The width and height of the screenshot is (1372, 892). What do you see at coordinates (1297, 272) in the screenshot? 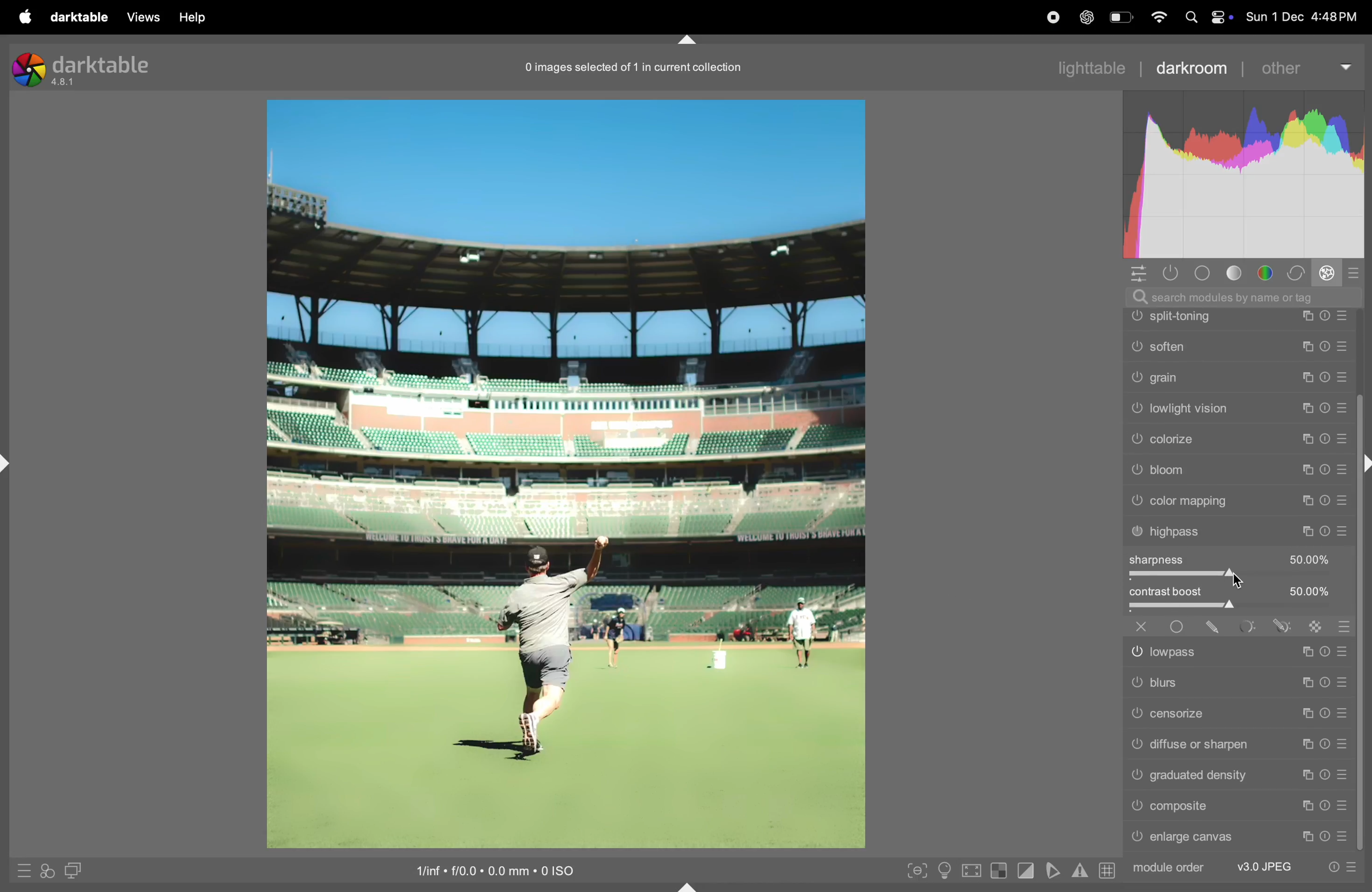
I see `correct` at bounding box center [1297, 272].